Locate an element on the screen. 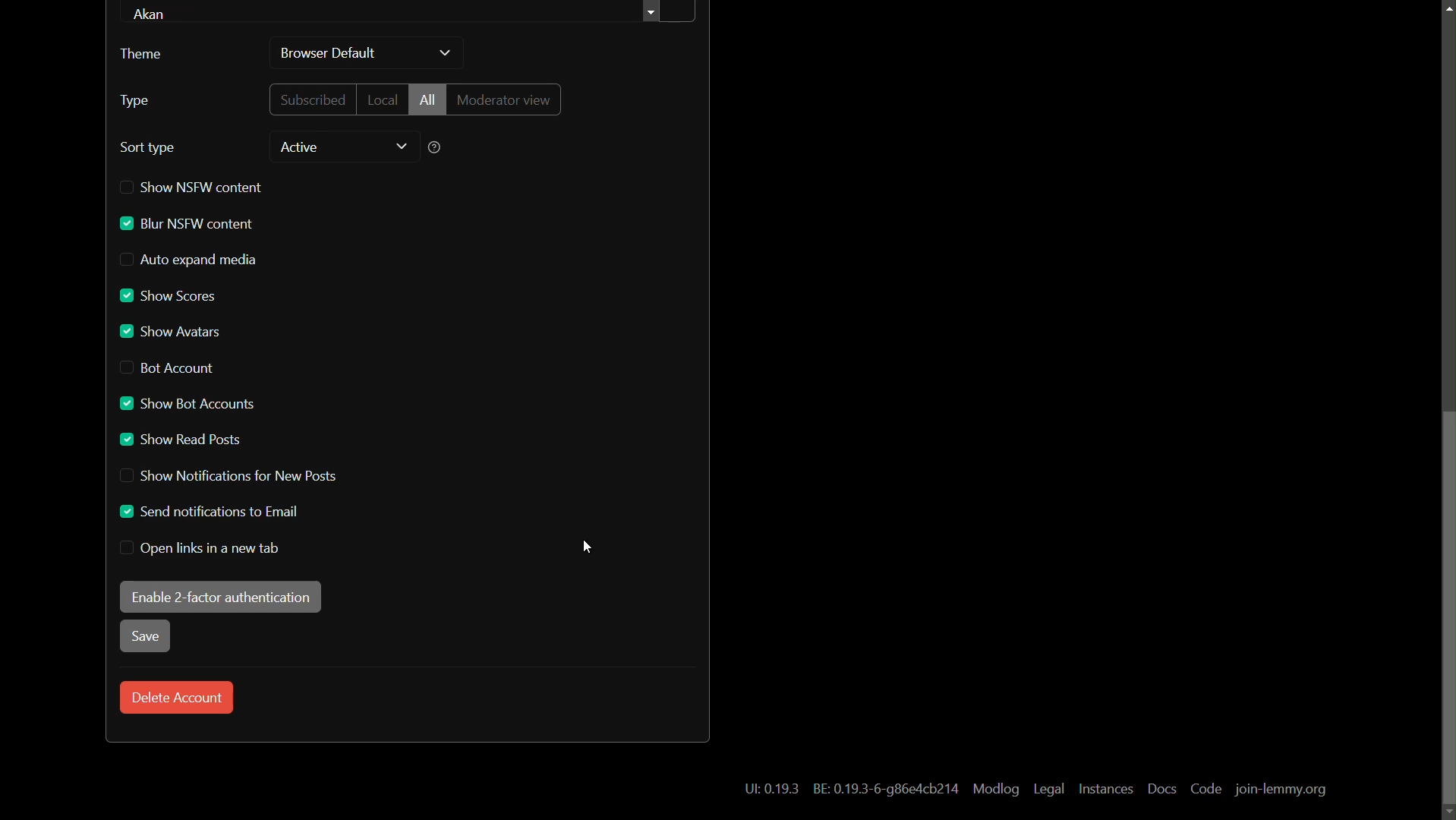  browser default is located at coordinates (329, 53).